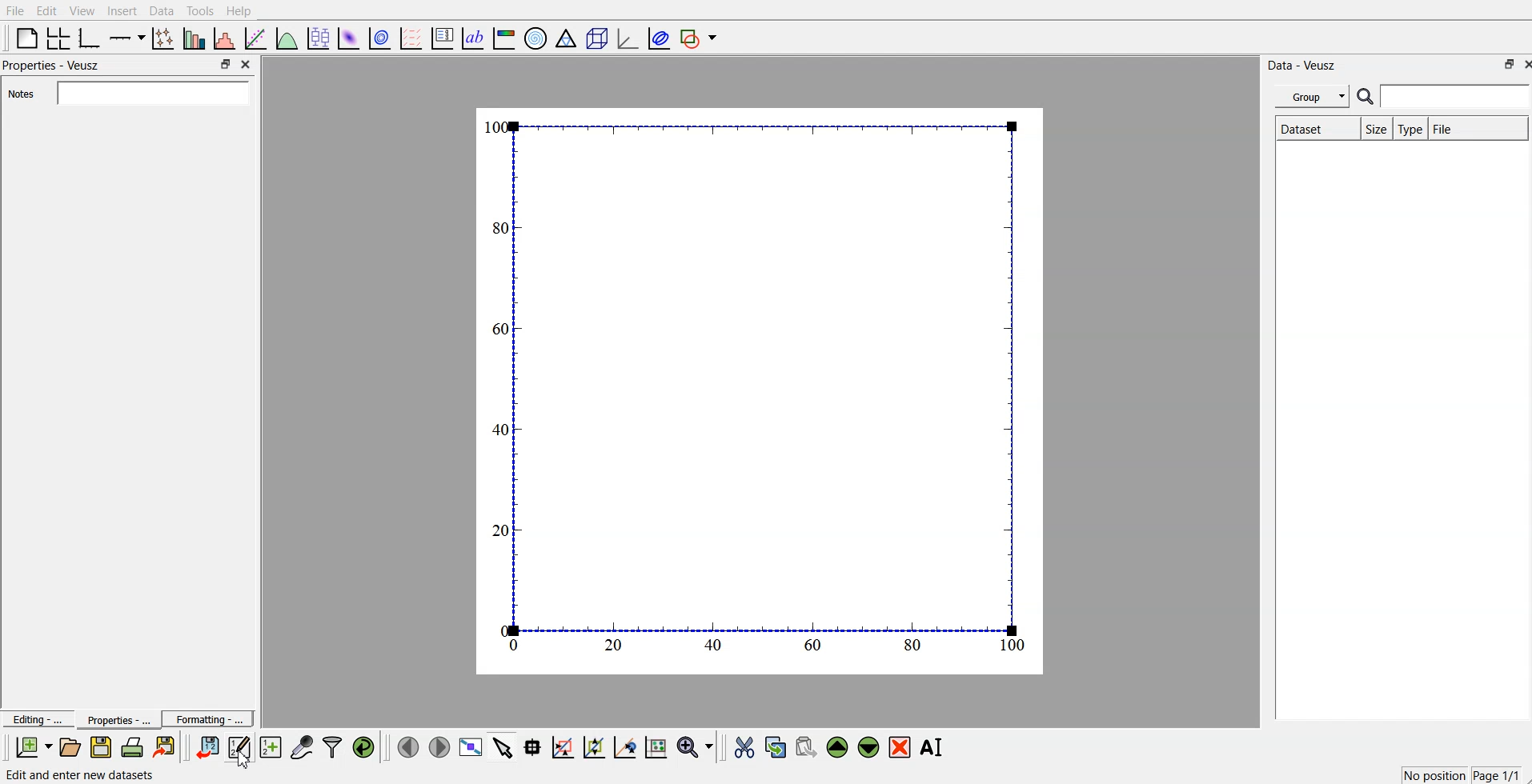 Image resolution: width=1532 pixels, height=784 pixels. I want to click on click to reset graph axes, so click(657, 746).